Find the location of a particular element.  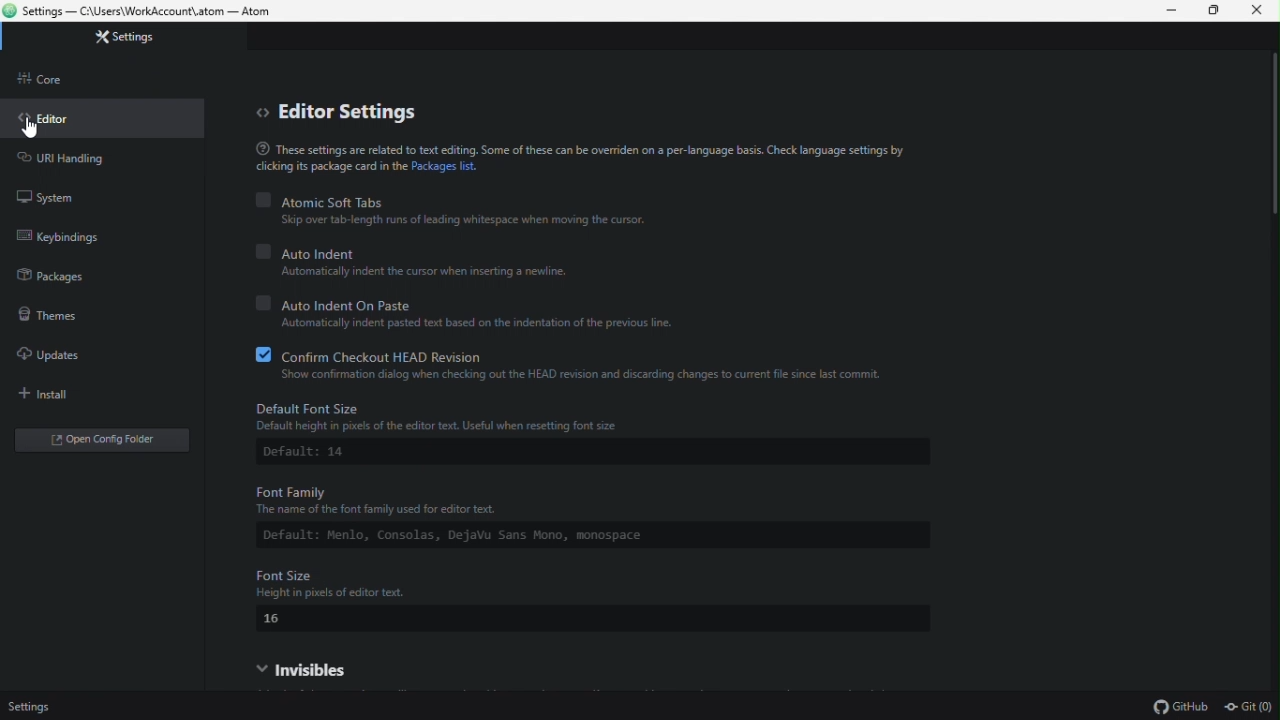

Default: 14 is located at coordinates (320, 453).